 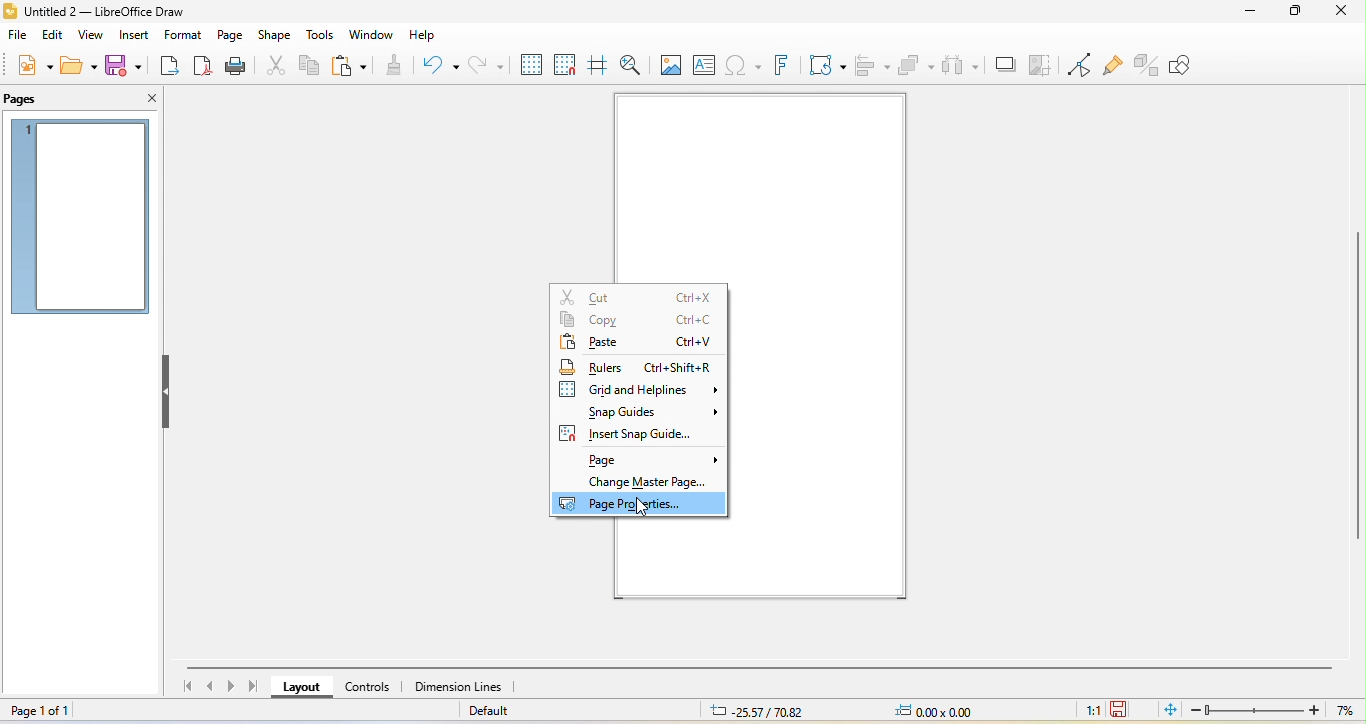 I want to click on cut, so click(x=272, y=65).